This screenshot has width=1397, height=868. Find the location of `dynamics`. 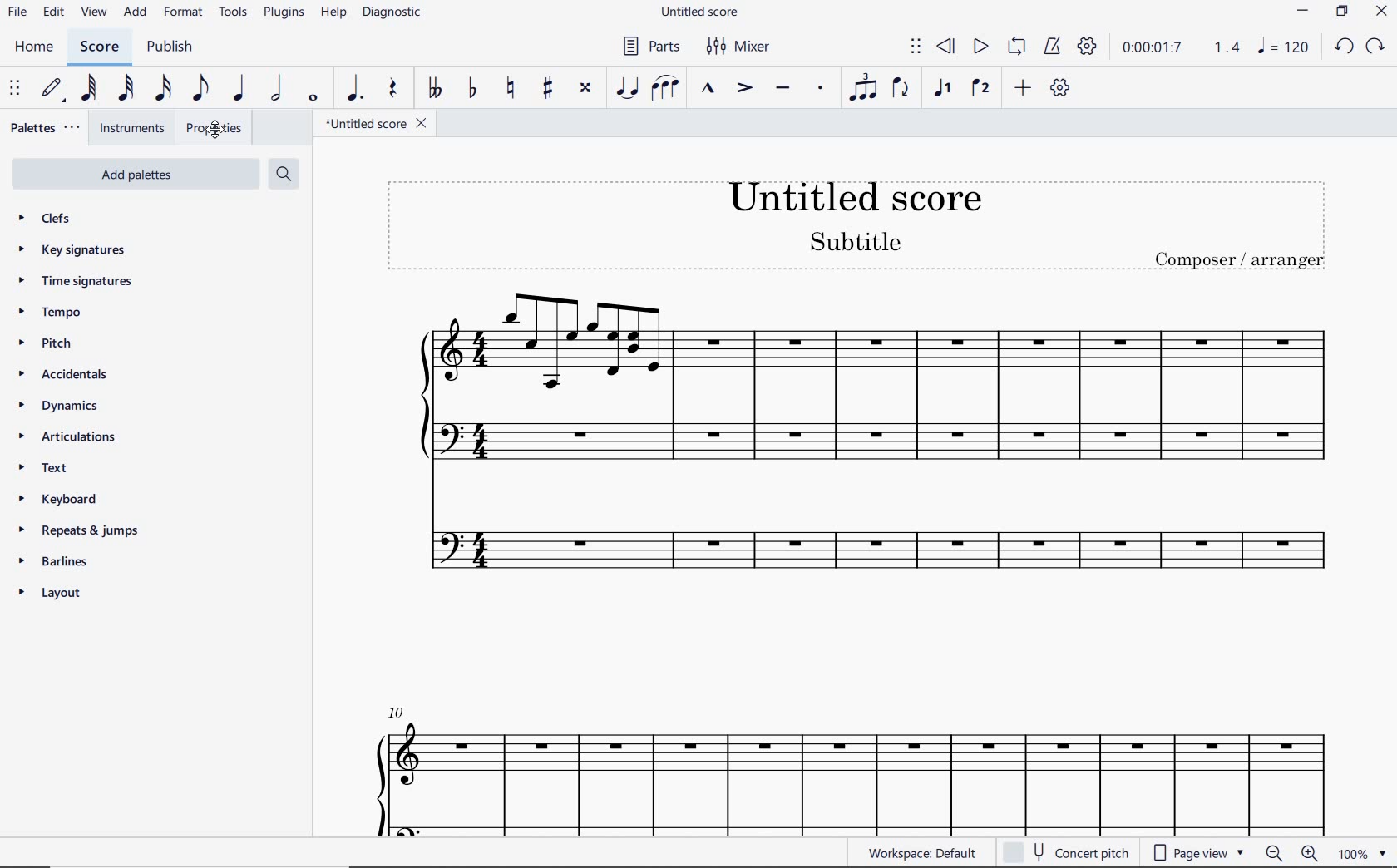

dynamics is located at coordinates (62, 406).